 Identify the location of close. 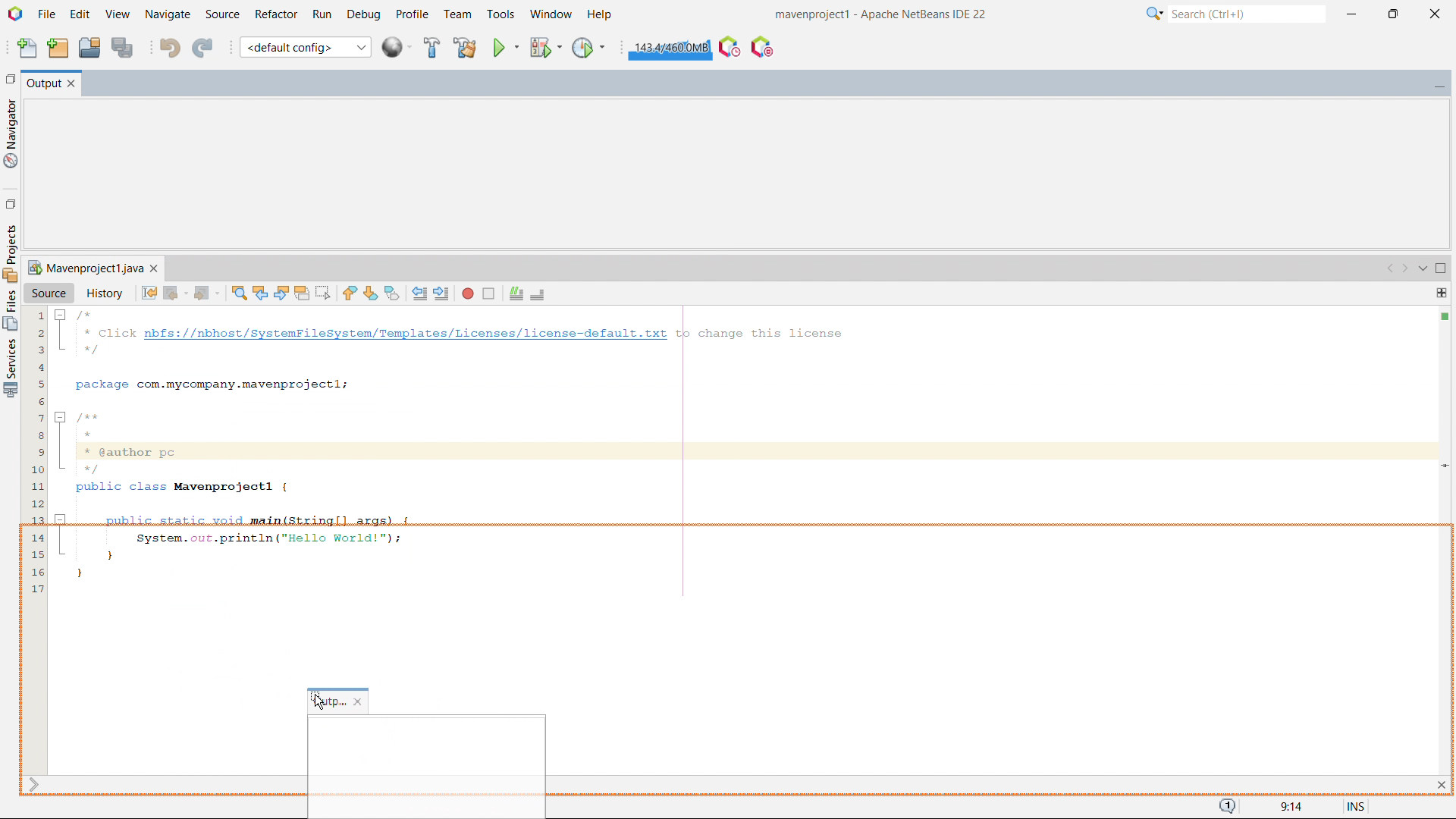
(359, 701).